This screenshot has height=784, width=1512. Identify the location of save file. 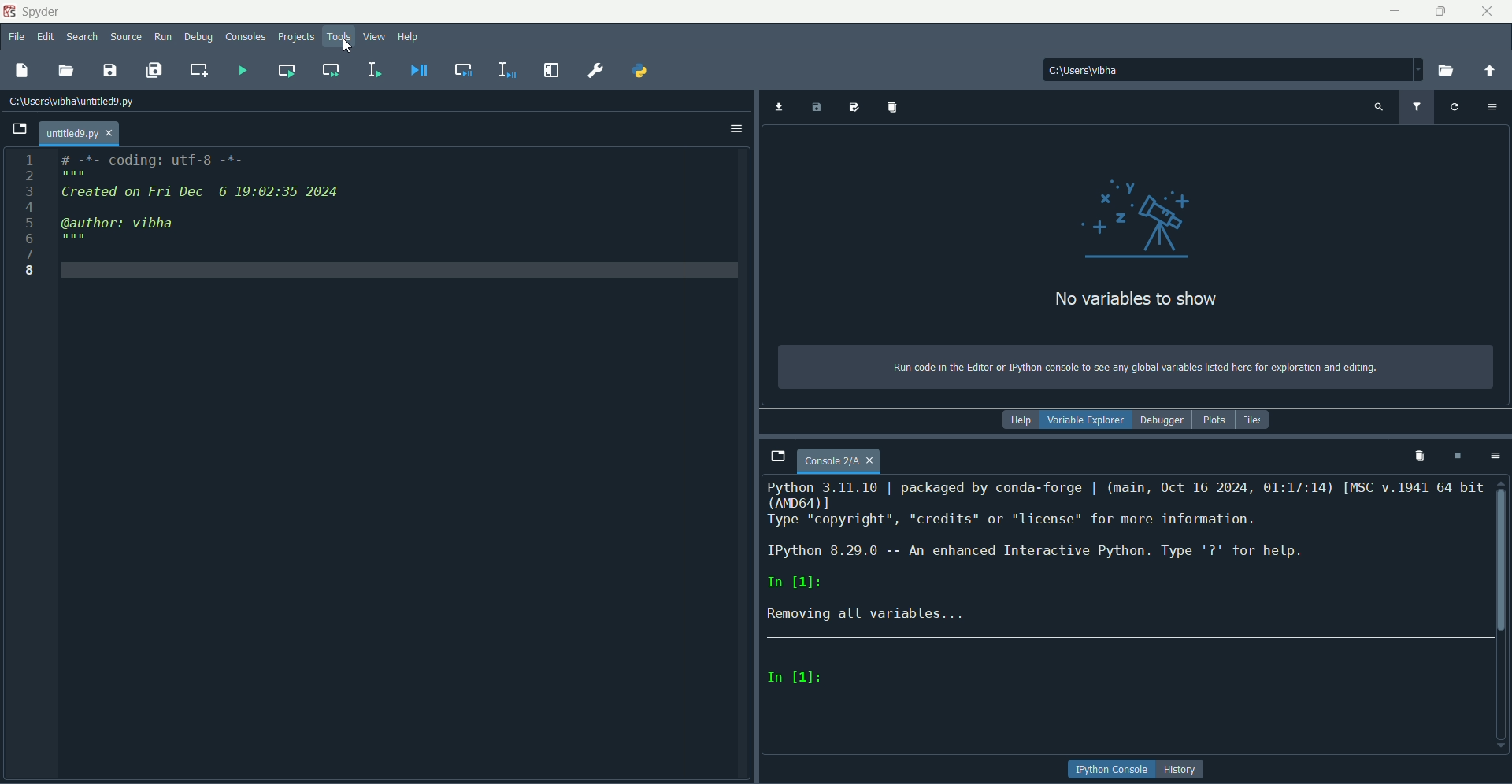
(110, 69).